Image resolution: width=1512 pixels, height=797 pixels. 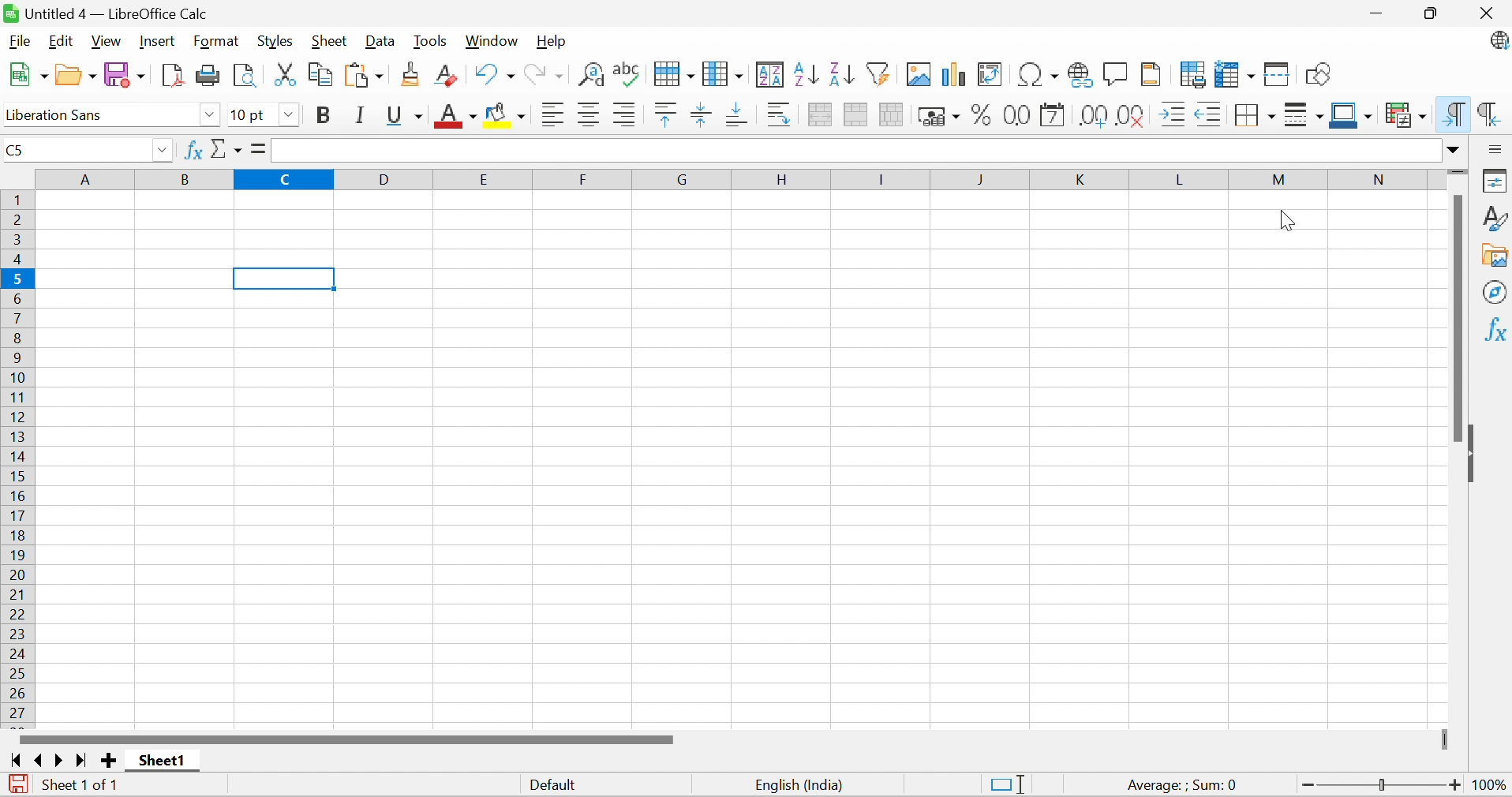 I want to click on Input line, so click(x=856, y=151).